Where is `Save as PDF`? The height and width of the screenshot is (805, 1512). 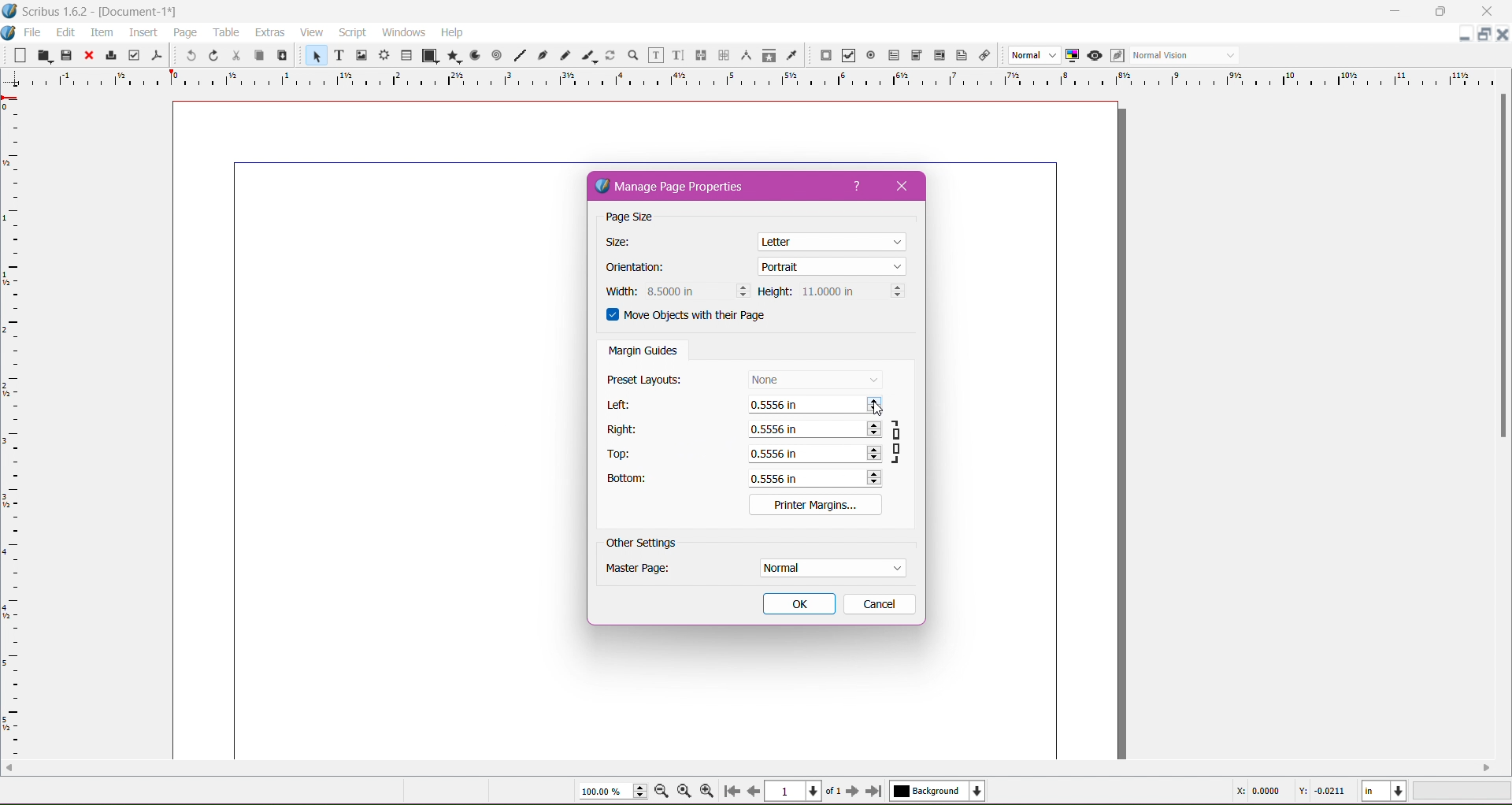 Save as PDF is located at coordinates (158, 54).